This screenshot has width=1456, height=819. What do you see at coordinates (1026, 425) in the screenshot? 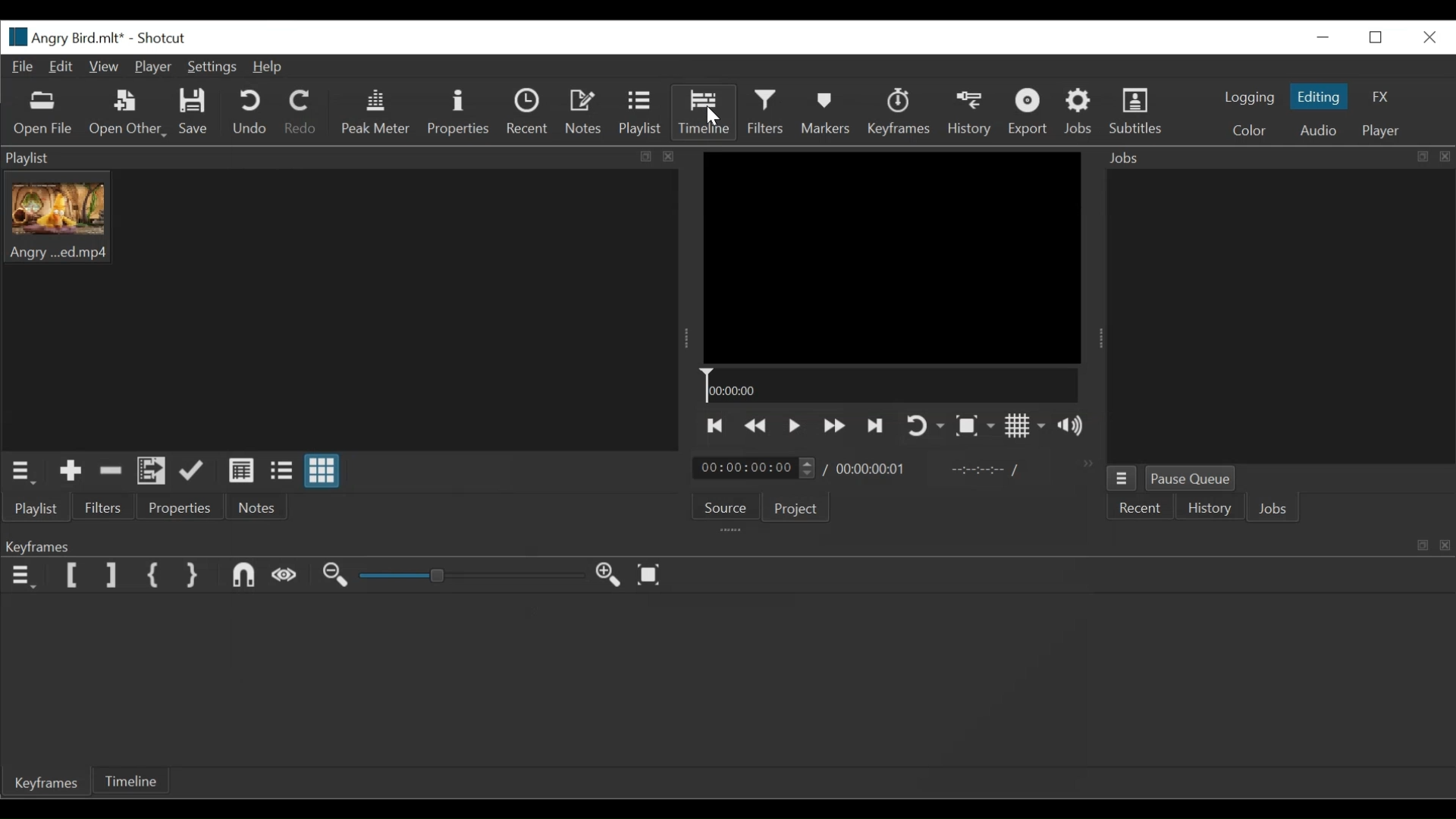
I see `Toggle display grid on player` at bounding box center [1026, 425].